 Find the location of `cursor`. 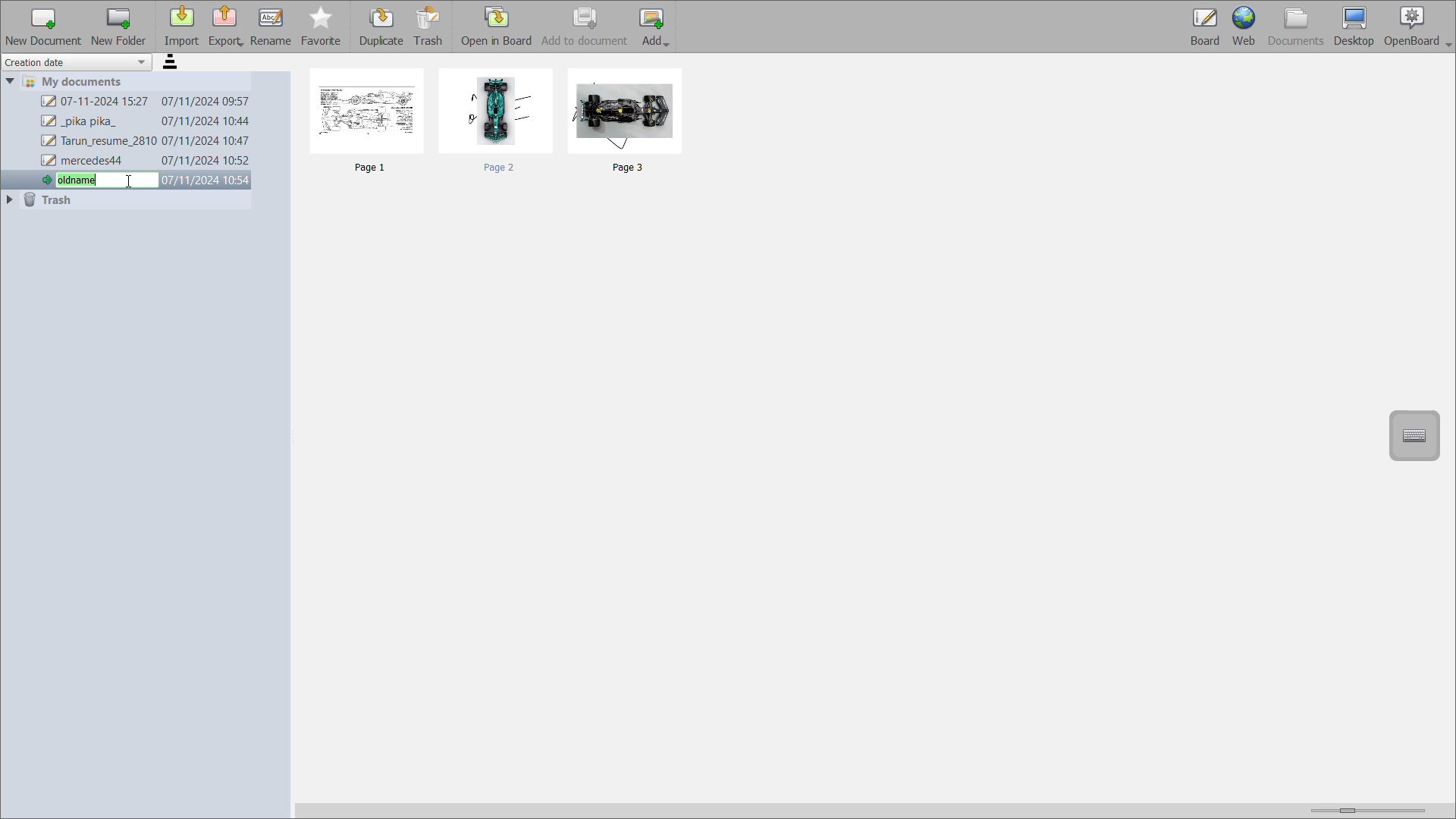

cursor is located at coordinates (130, 181).